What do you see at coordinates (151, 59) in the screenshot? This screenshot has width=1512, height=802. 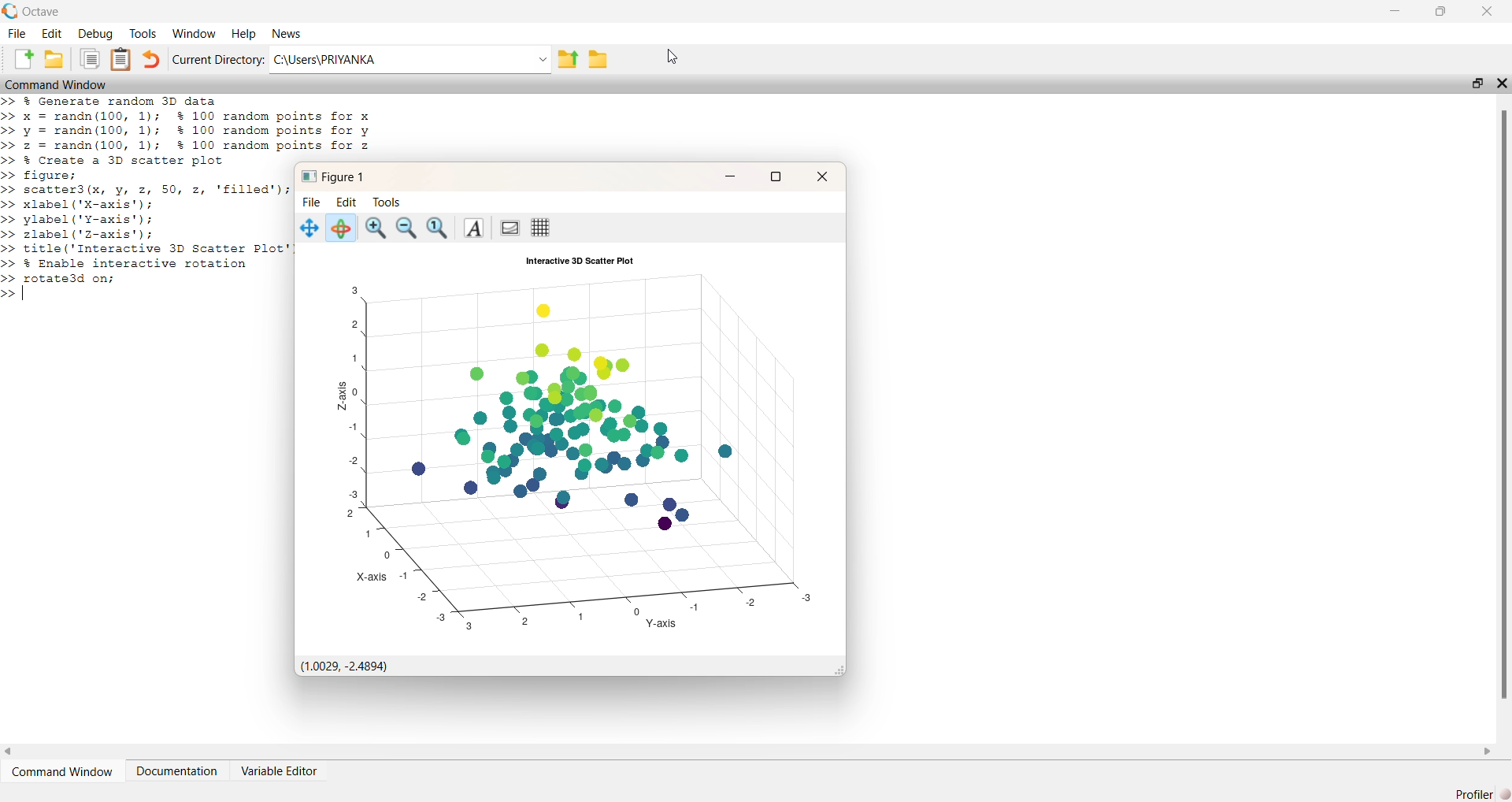 I see `undo` at bounding box center [151, 59].